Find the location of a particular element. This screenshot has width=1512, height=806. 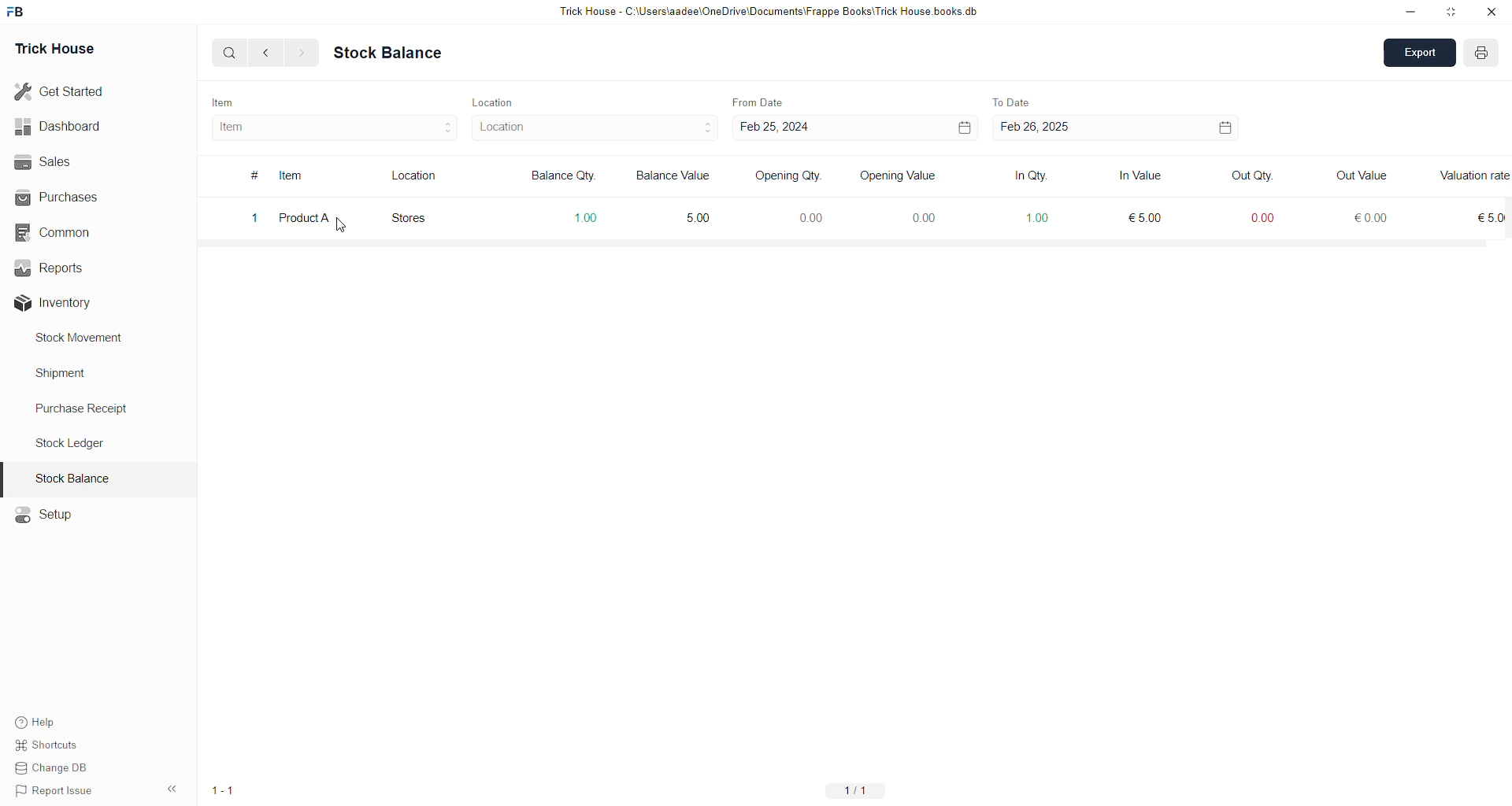

1.00 is located at coordinates (1030, 219).